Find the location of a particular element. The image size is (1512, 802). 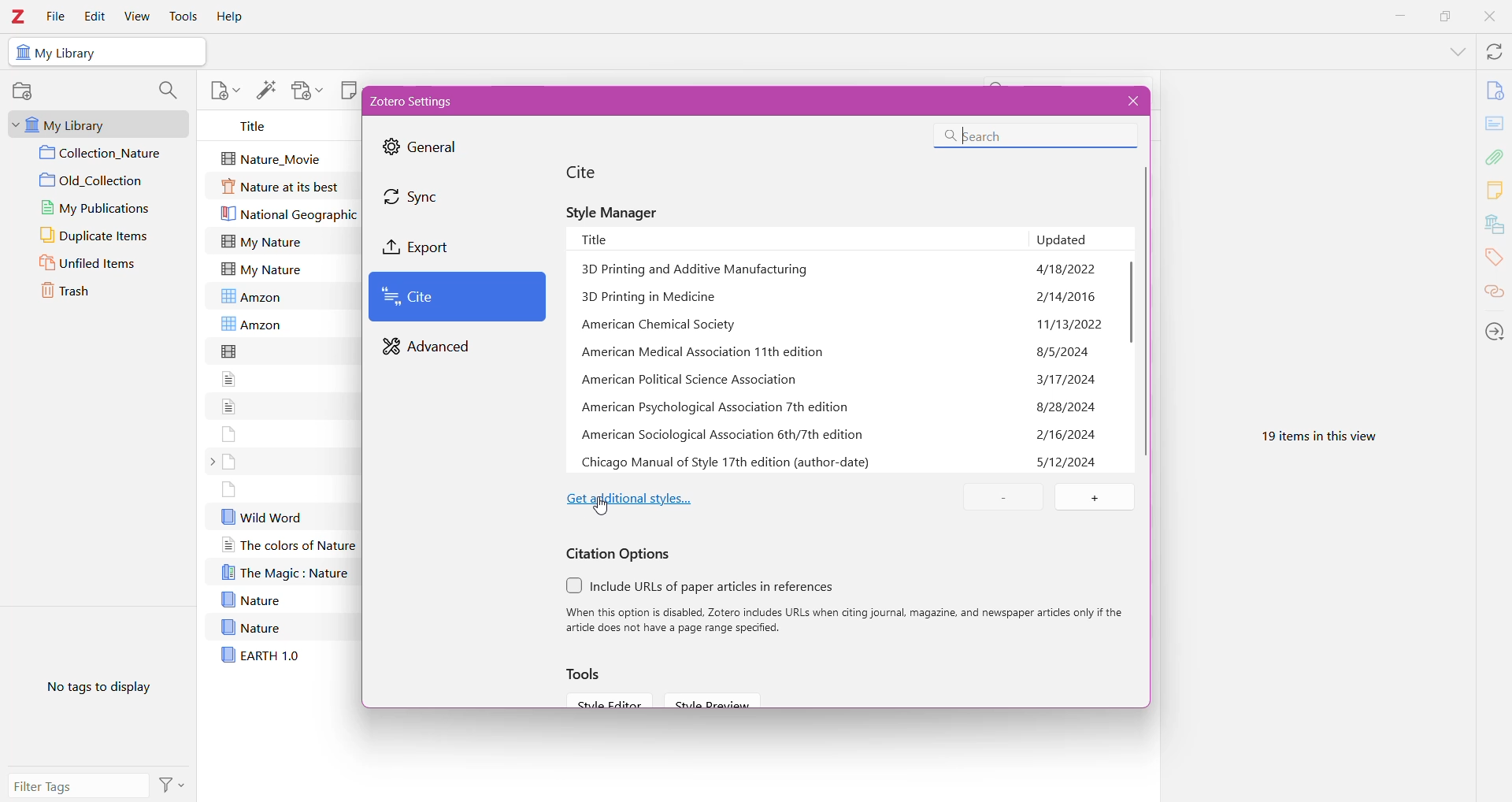

When this option is disabled, Zotero includes URLs when citing journal, magazine, and newspaper articles only if the article does not have a page range specified. is located at coordinates (847, 621).